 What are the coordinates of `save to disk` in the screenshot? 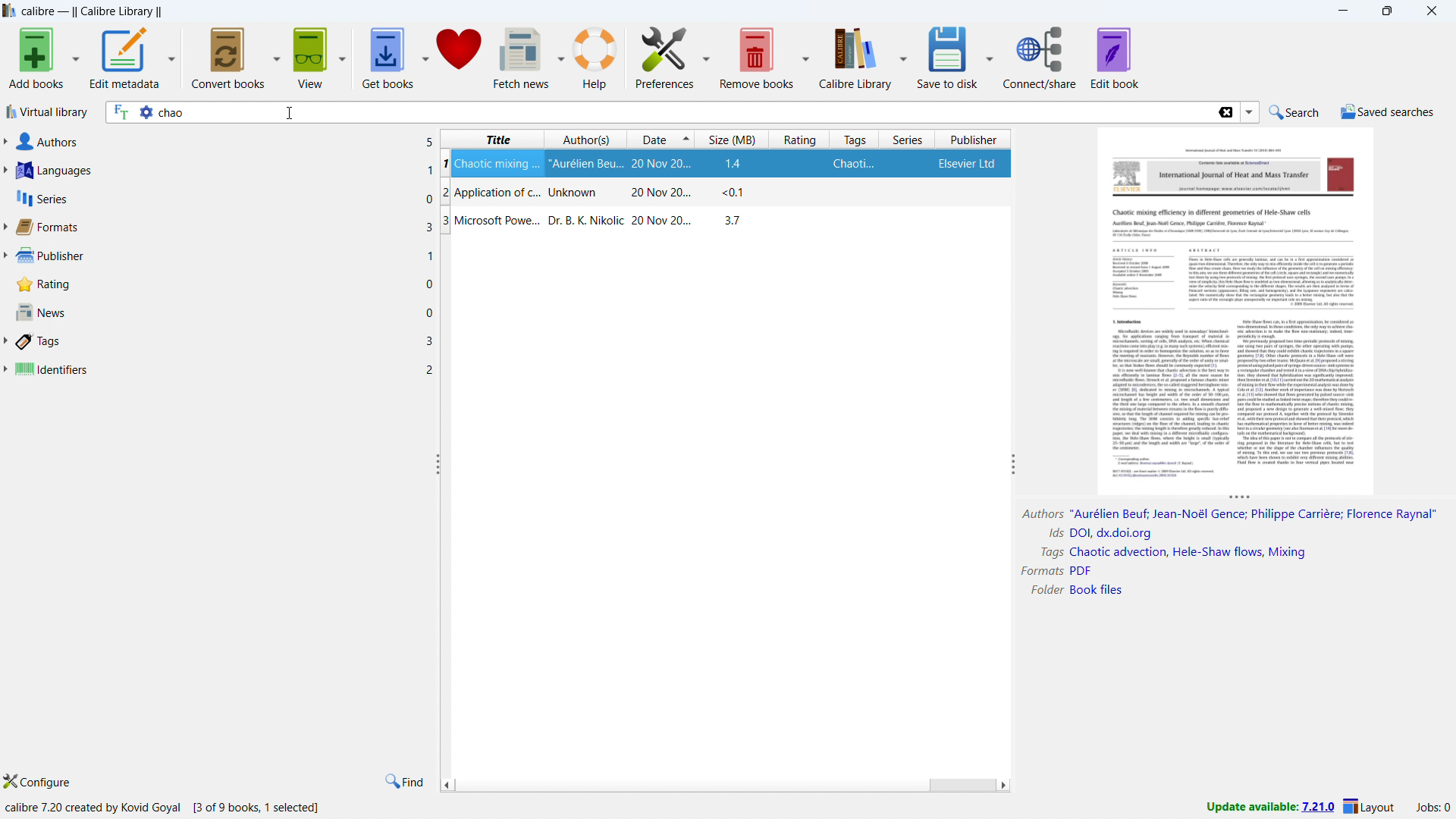 It's located at (946, 57).